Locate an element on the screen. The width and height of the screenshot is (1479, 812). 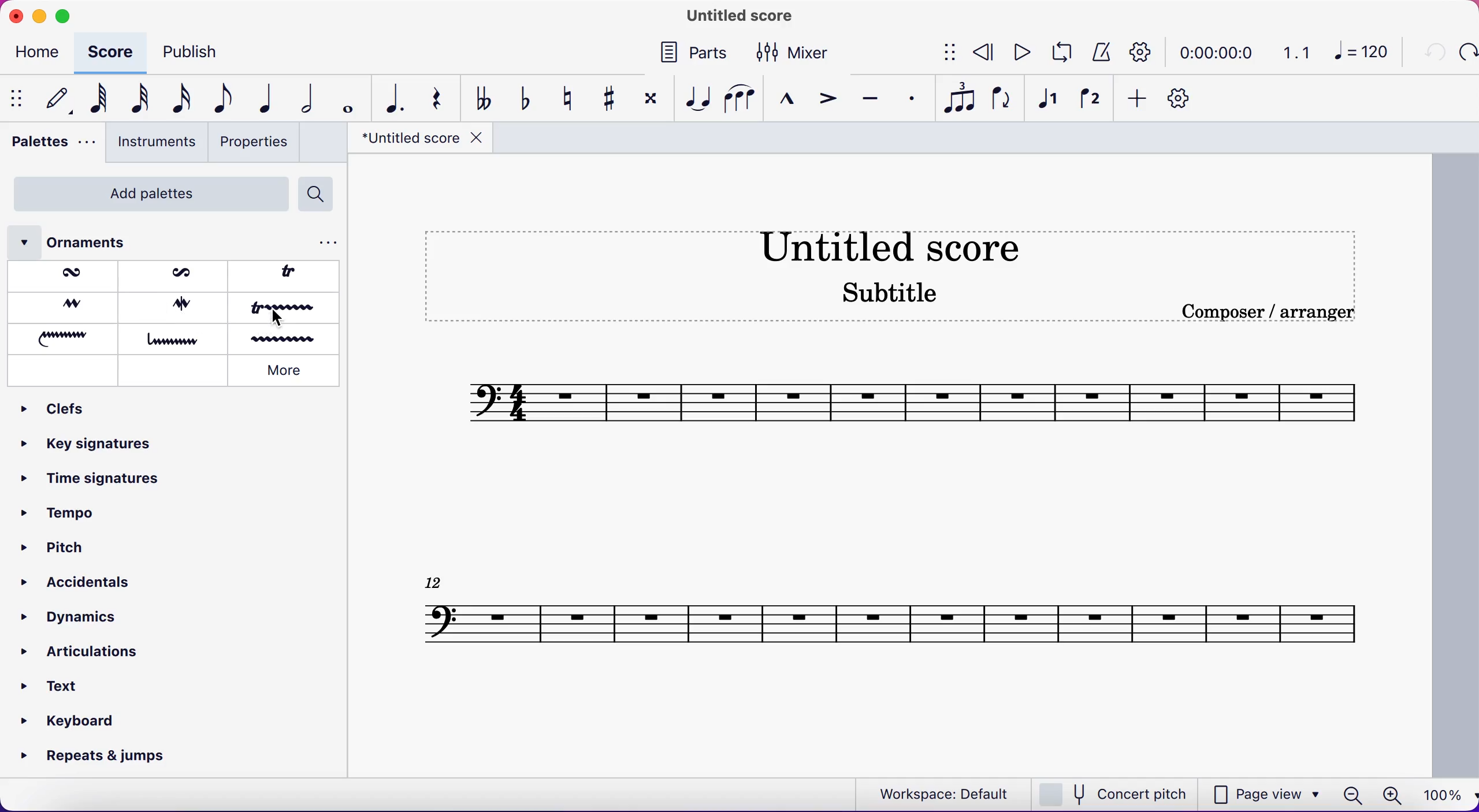
quarter note is located at coordinates (263, 100).